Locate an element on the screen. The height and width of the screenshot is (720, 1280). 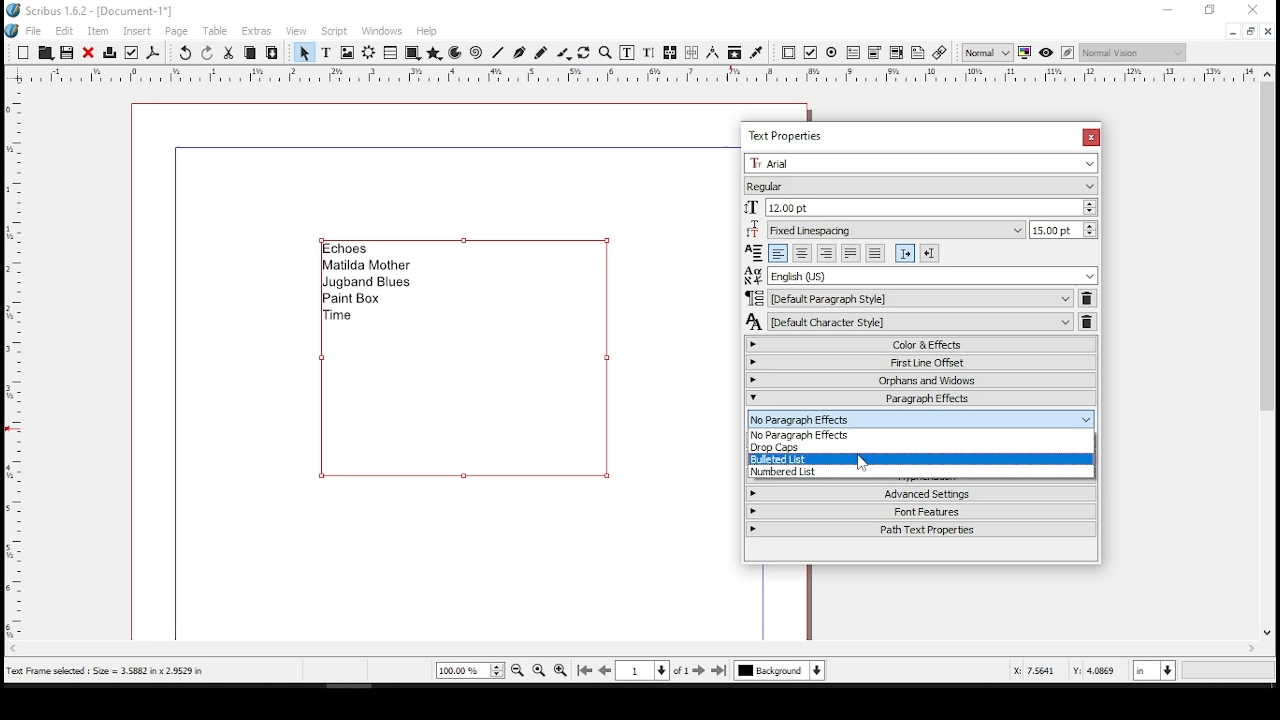
numbered list is located at coordinates (920, 473).